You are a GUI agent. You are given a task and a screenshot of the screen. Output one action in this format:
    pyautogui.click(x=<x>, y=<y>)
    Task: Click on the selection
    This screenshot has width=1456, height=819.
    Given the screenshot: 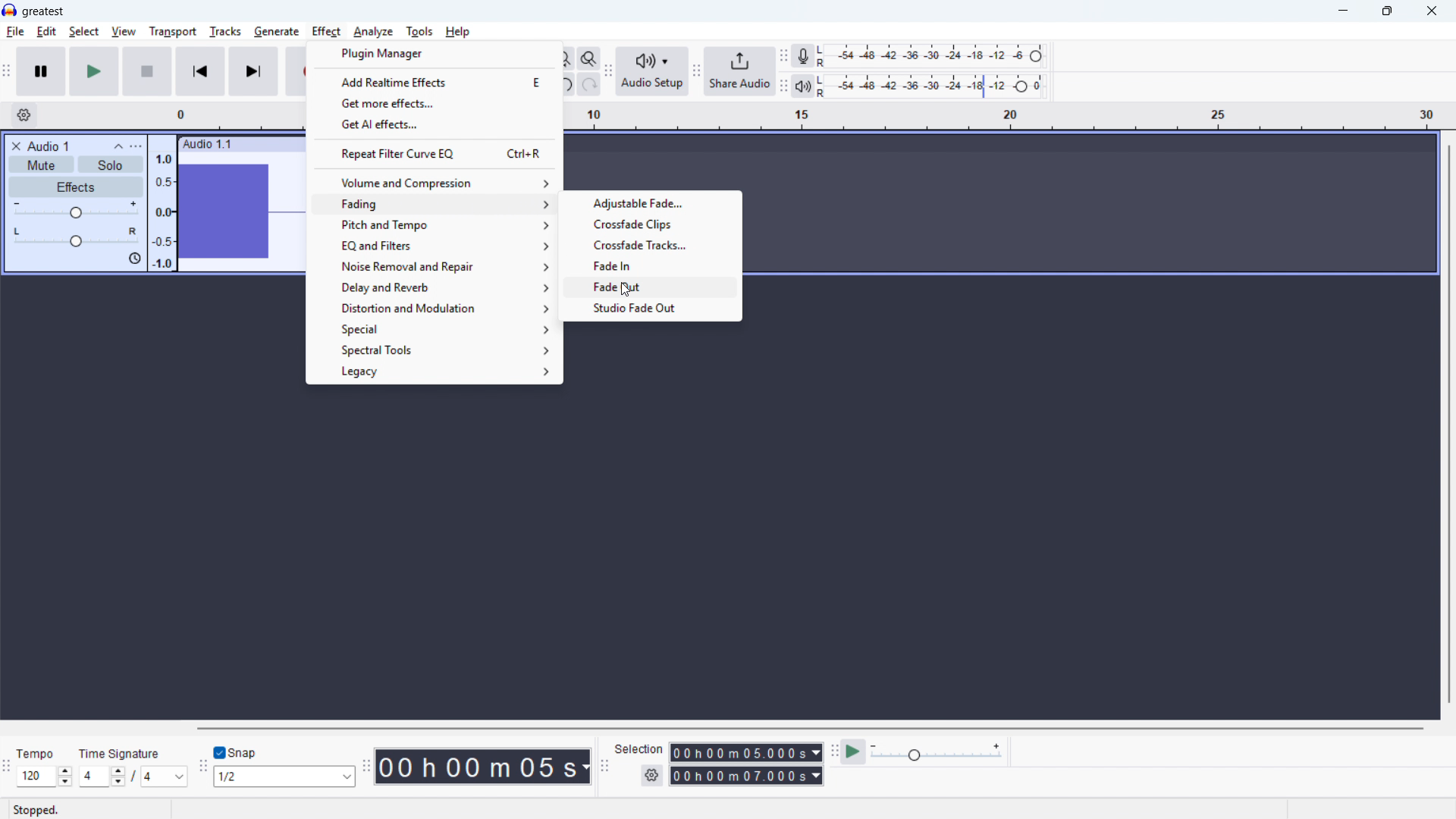 What is the action you would take?
    pyautogui.click(x=639, y=749)
    